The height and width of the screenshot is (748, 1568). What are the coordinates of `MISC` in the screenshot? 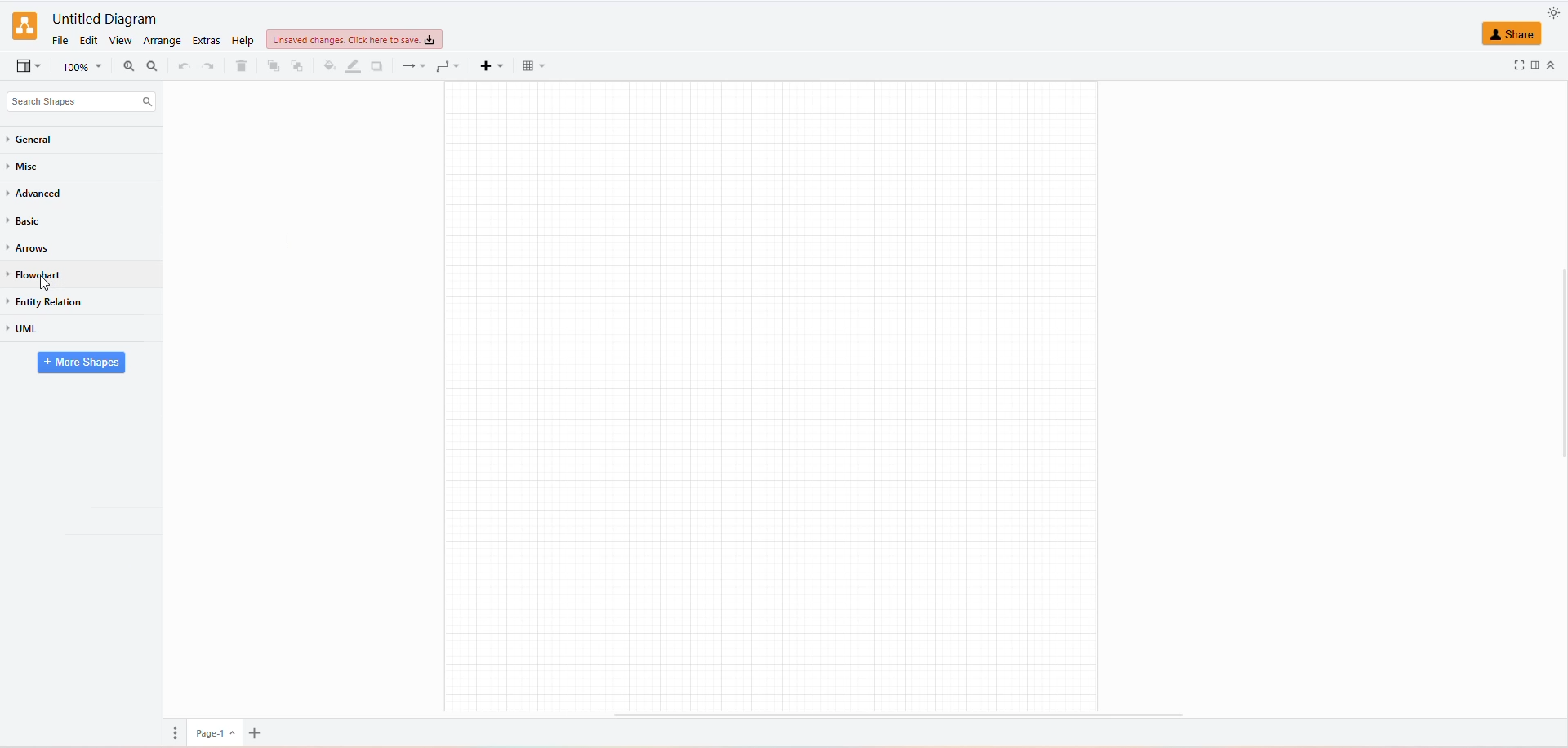 It's located at (26, 166).